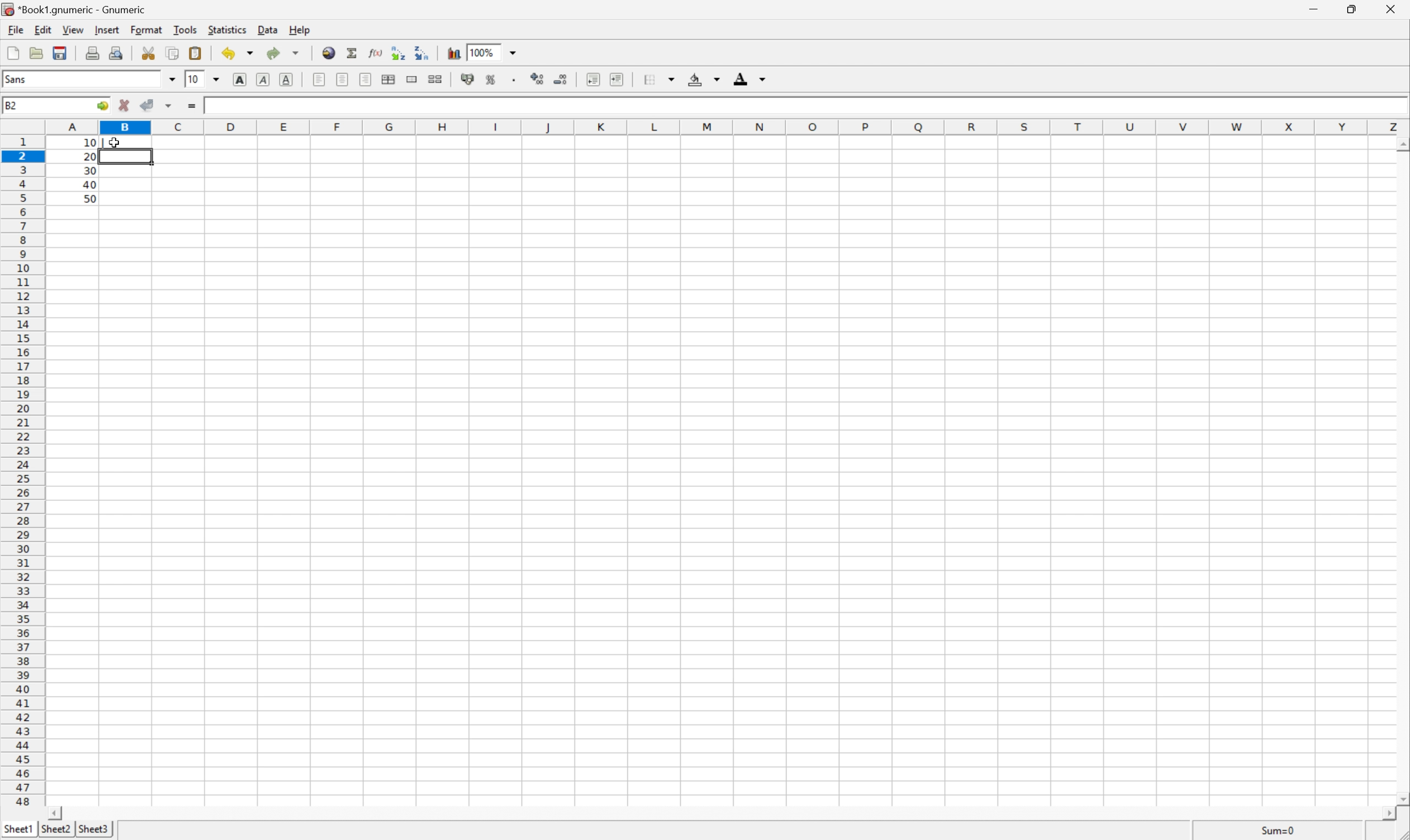  Describe the element at coordinates (227, 30) in the screenshot. I see `Statistics` at that location.